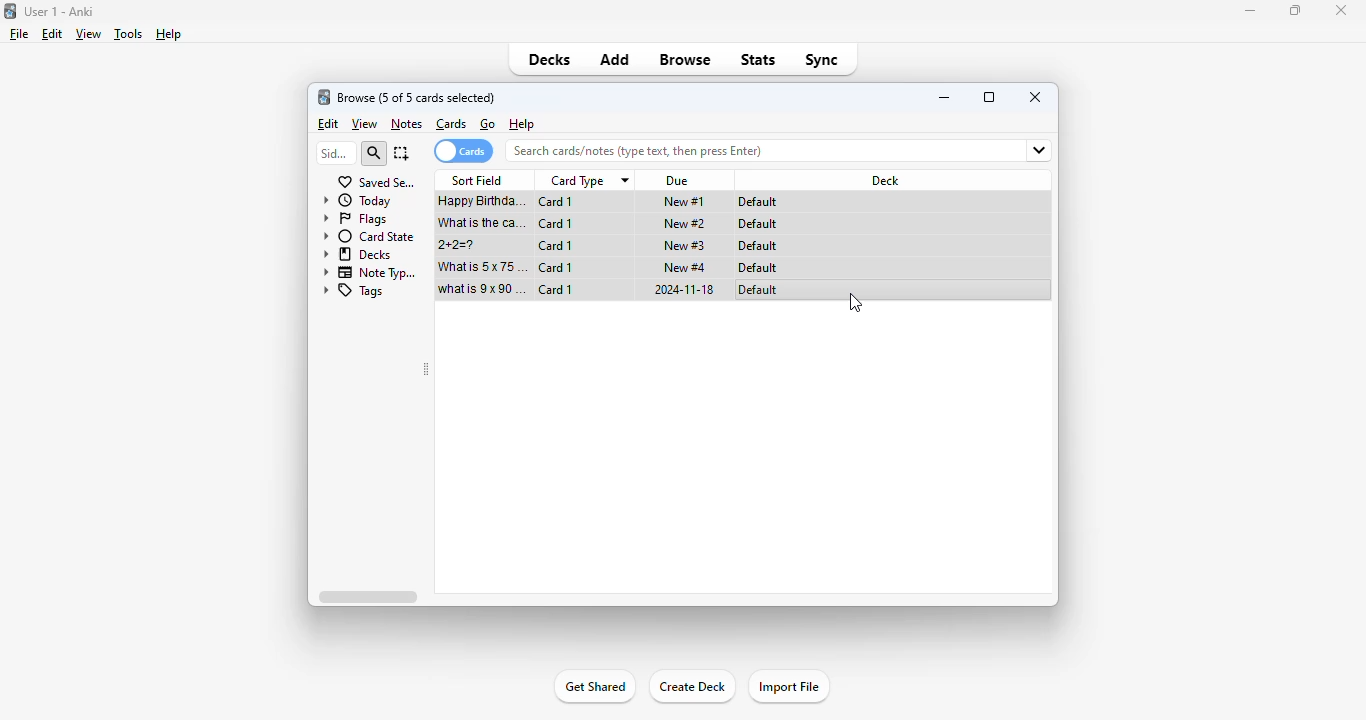 The image size is (1366, 720). I want to click on new #3, so click(684, 245).